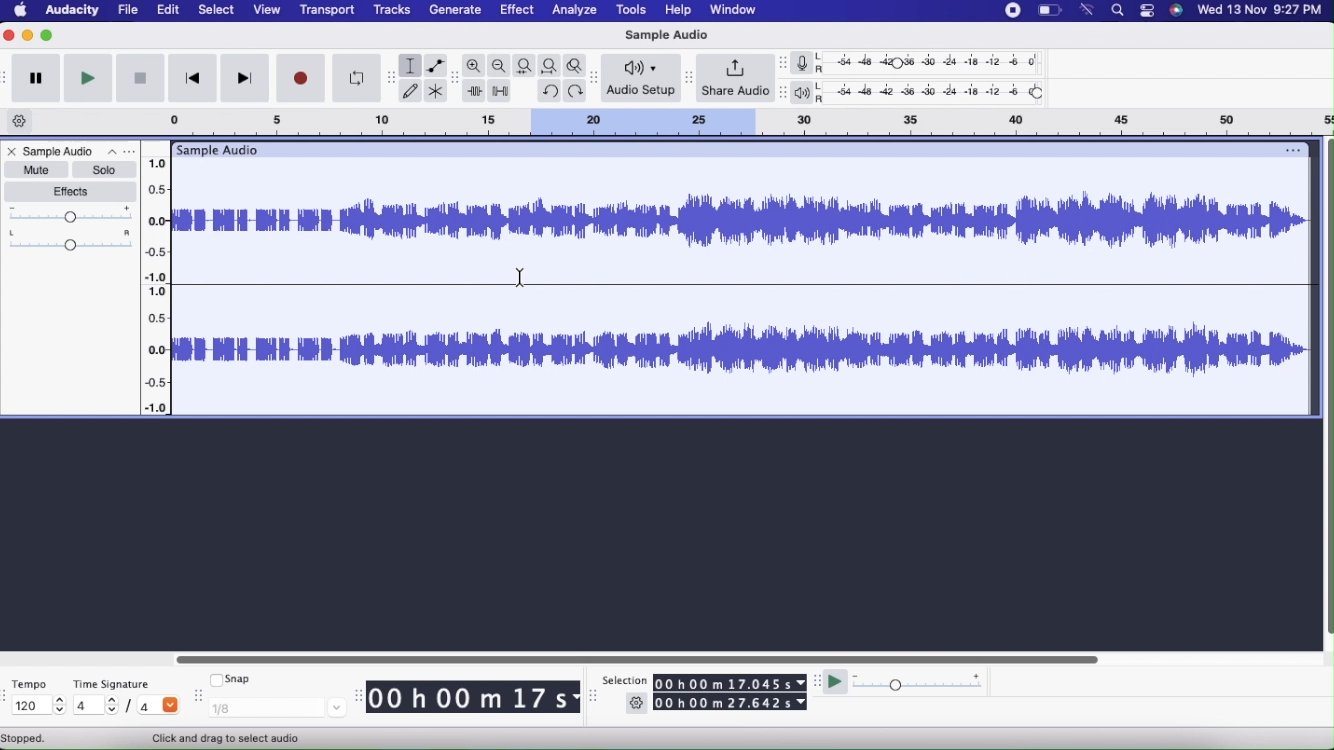 The image size is (1334, 750). What do you see at coordinates (35, 169) in the screenshot?
I see `Mute` at bounding box center [35, 169].